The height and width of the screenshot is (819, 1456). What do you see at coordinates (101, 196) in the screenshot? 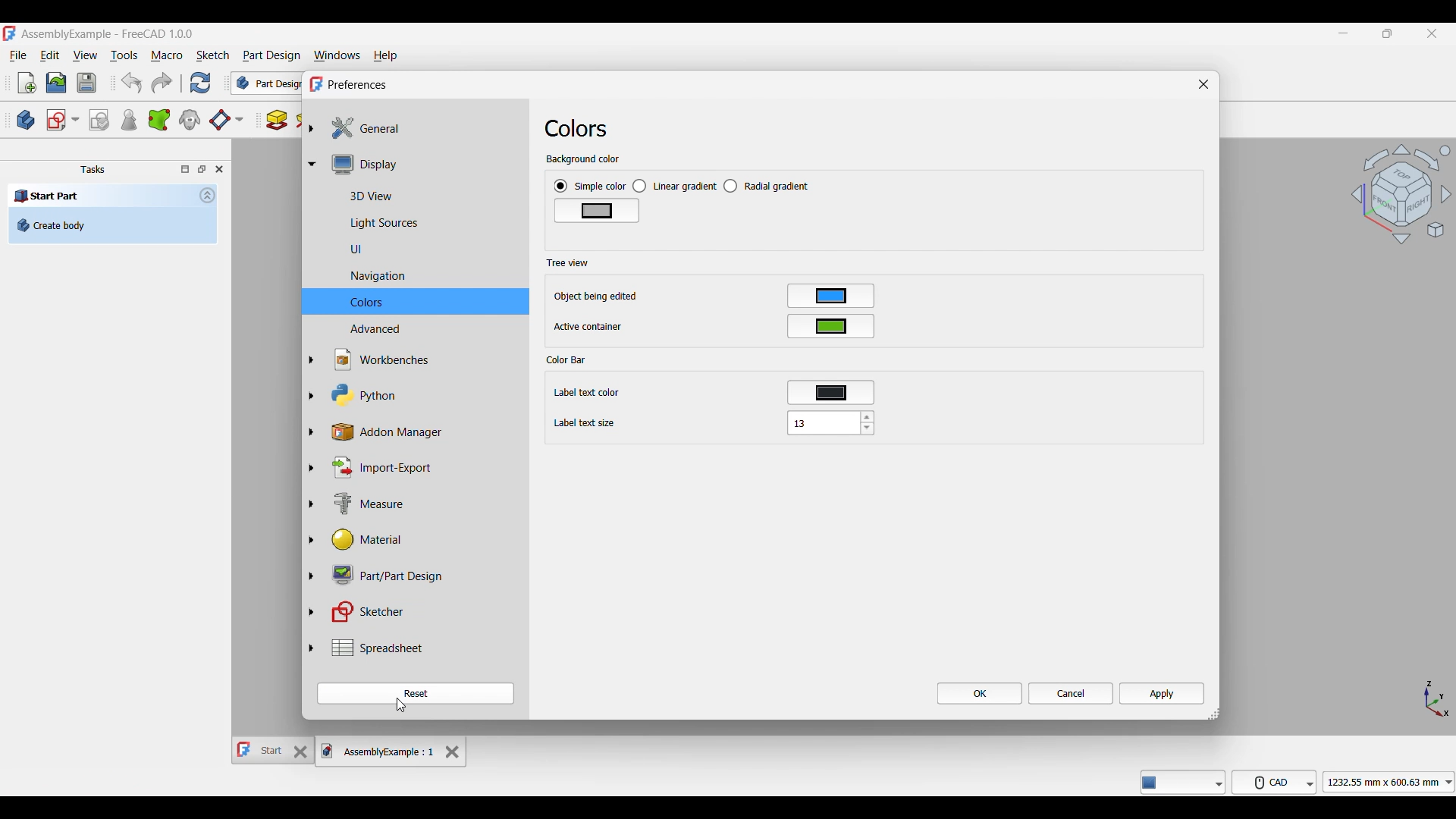
I see `Start Part - section title` at bounding box center [101, 196].